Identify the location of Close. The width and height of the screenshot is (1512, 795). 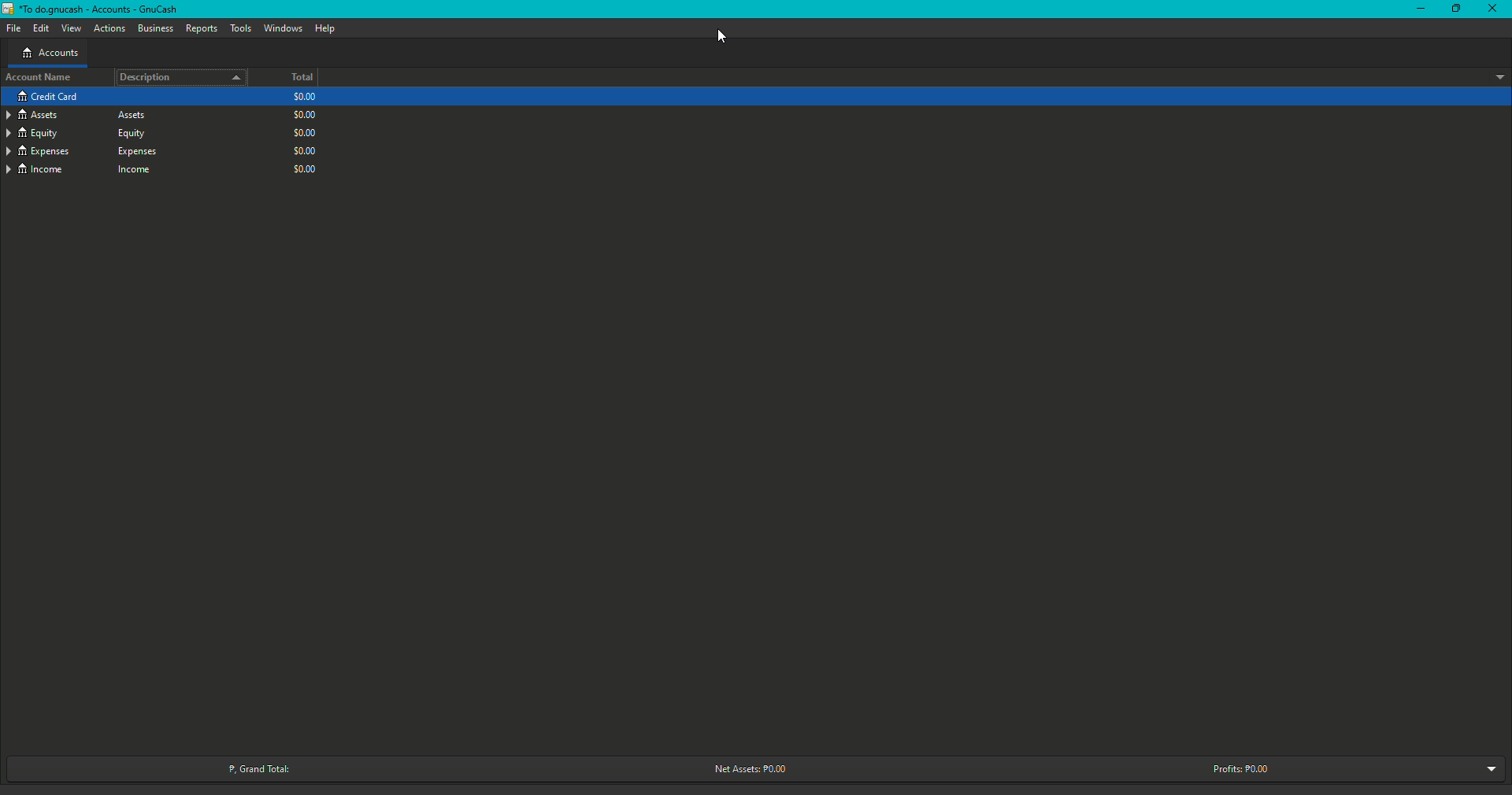
(1492, 9).